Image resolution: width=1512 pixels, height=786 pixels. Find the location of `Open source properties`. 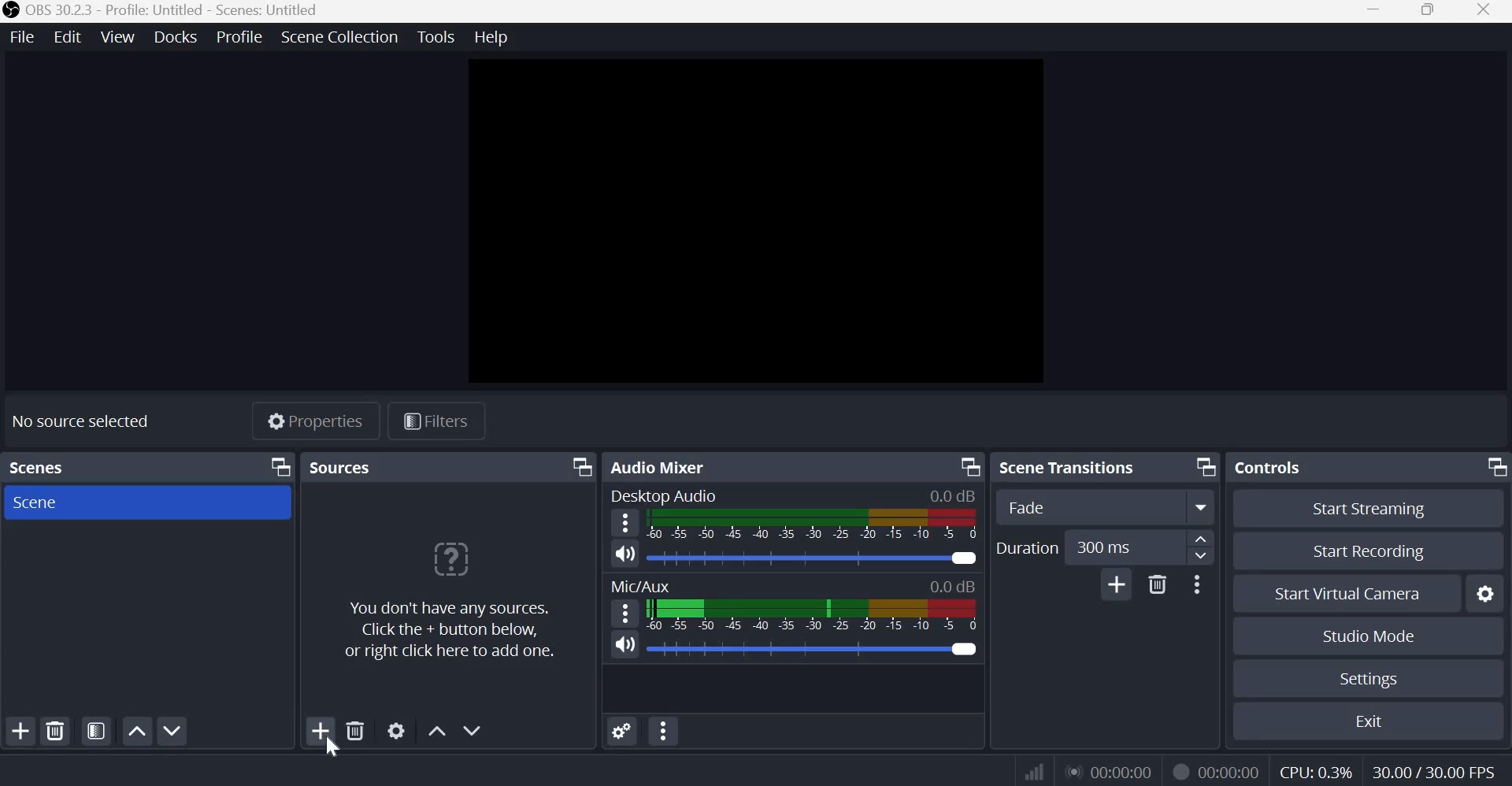

Open source properties is located at coordinates (398, 730).